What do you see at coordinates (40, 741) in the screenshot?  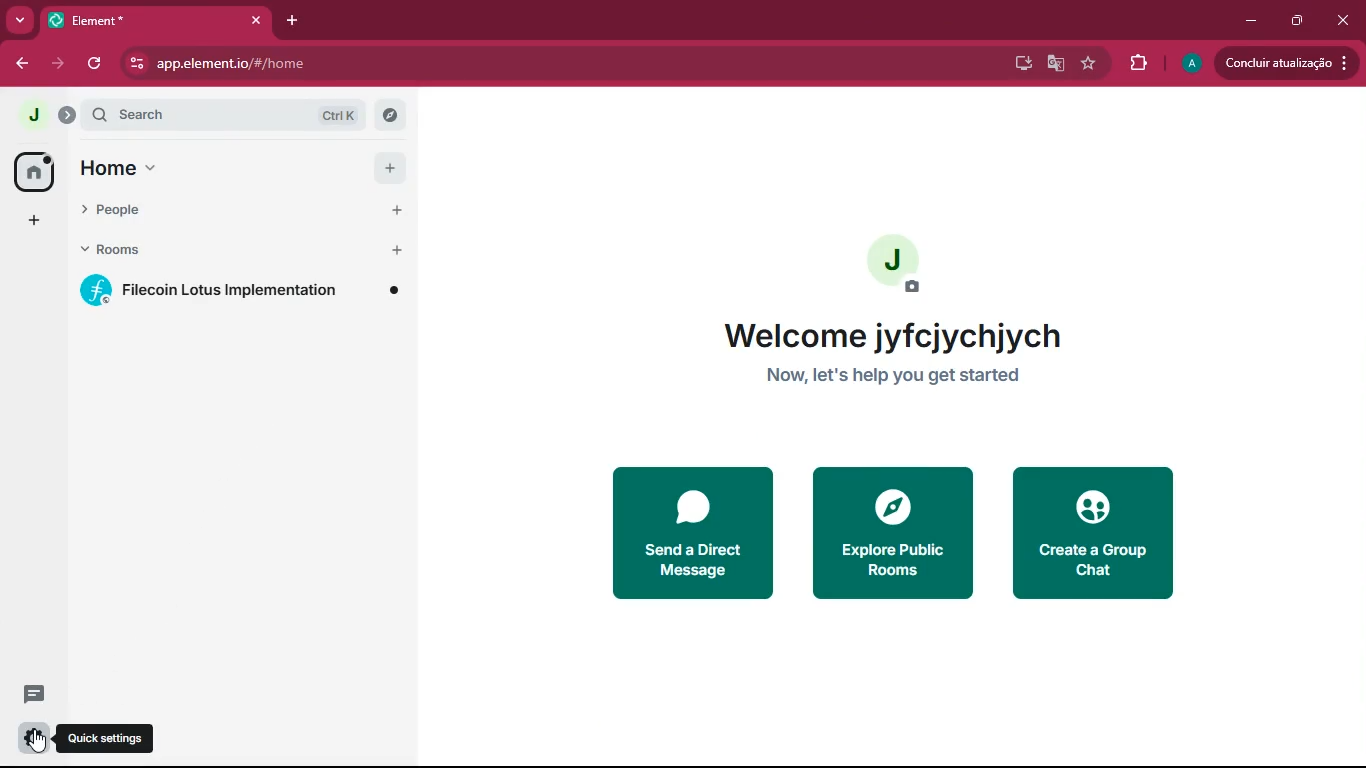 I see `Cursor` at bounding box center [40, 741].